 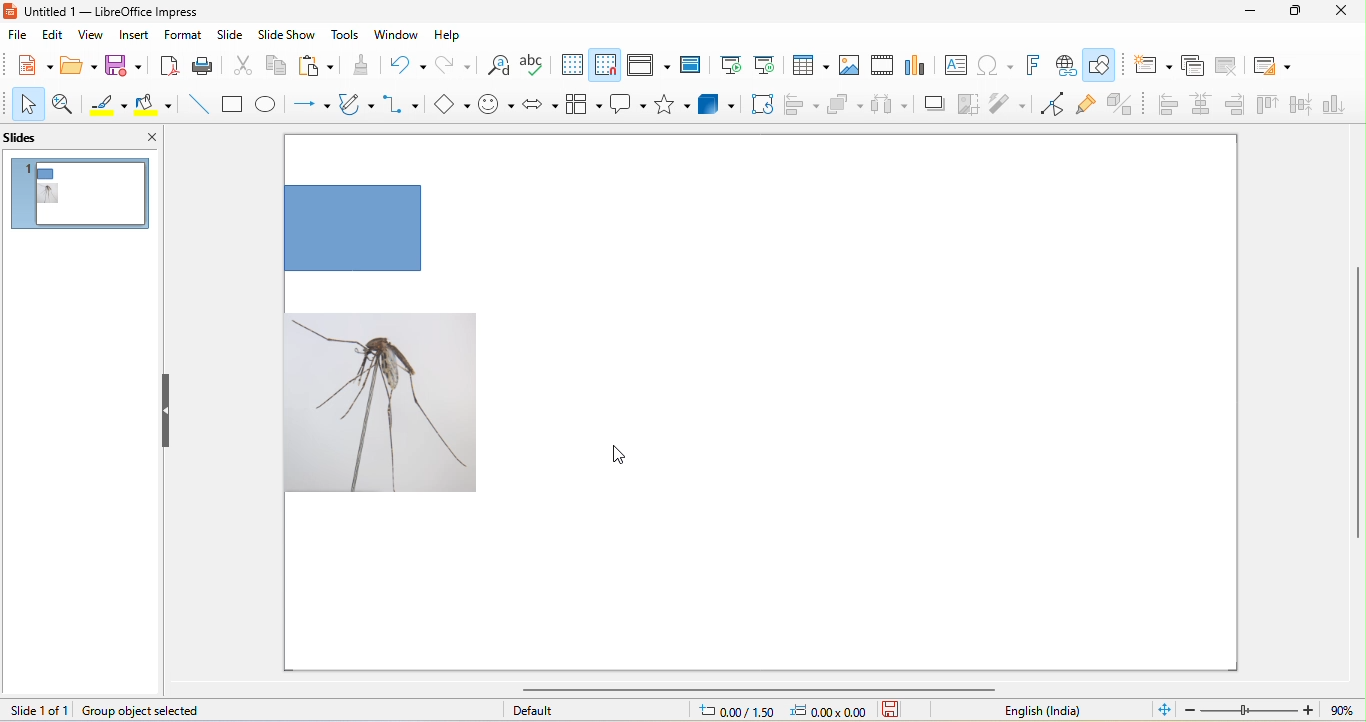 I want to click on 0.00 x0.00, so click(x=829, y=711).